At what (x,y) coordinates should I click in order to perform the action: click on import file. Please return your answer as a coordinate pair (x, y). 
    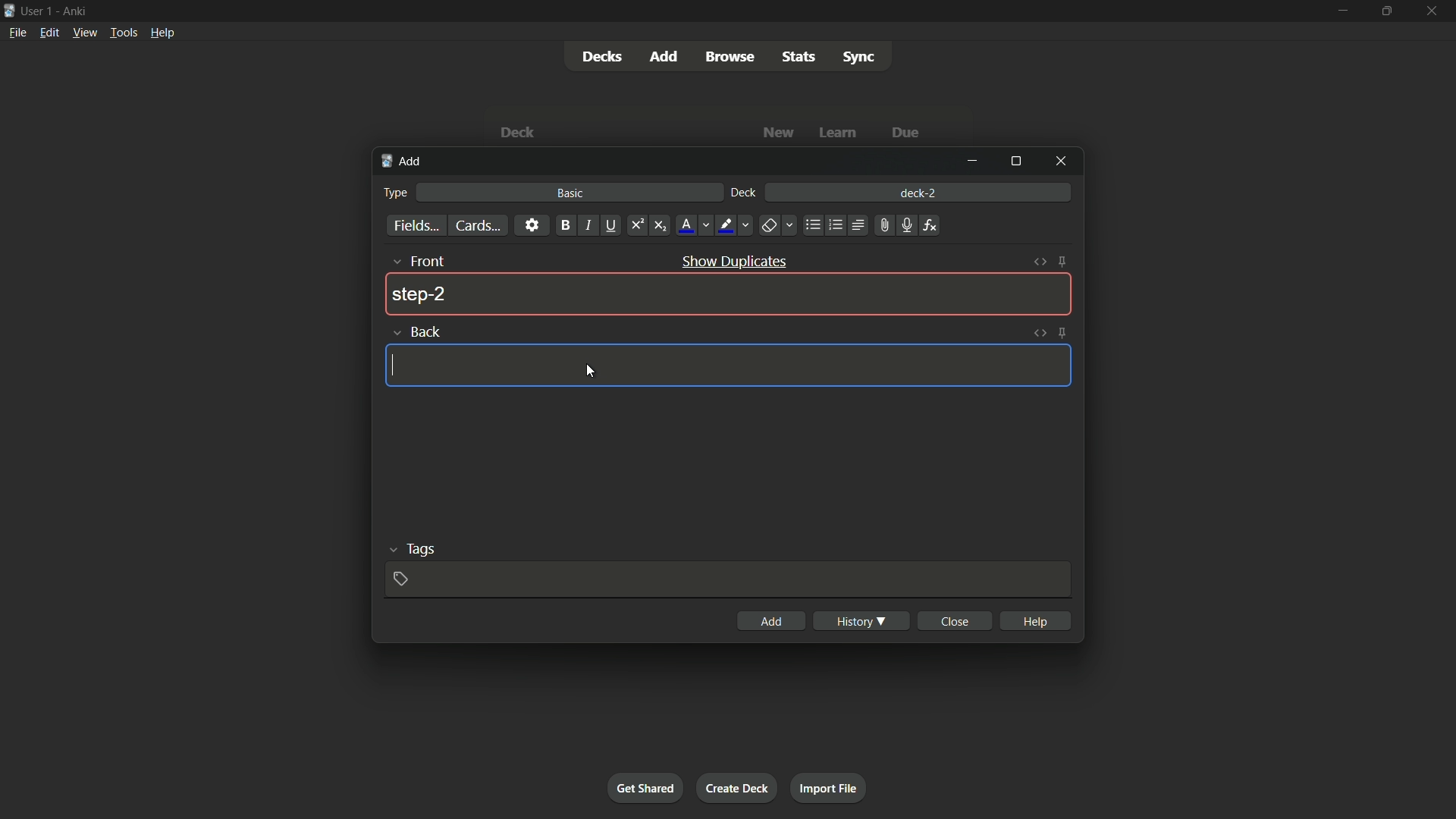
    Looking at the image, I should click on (830, 789).